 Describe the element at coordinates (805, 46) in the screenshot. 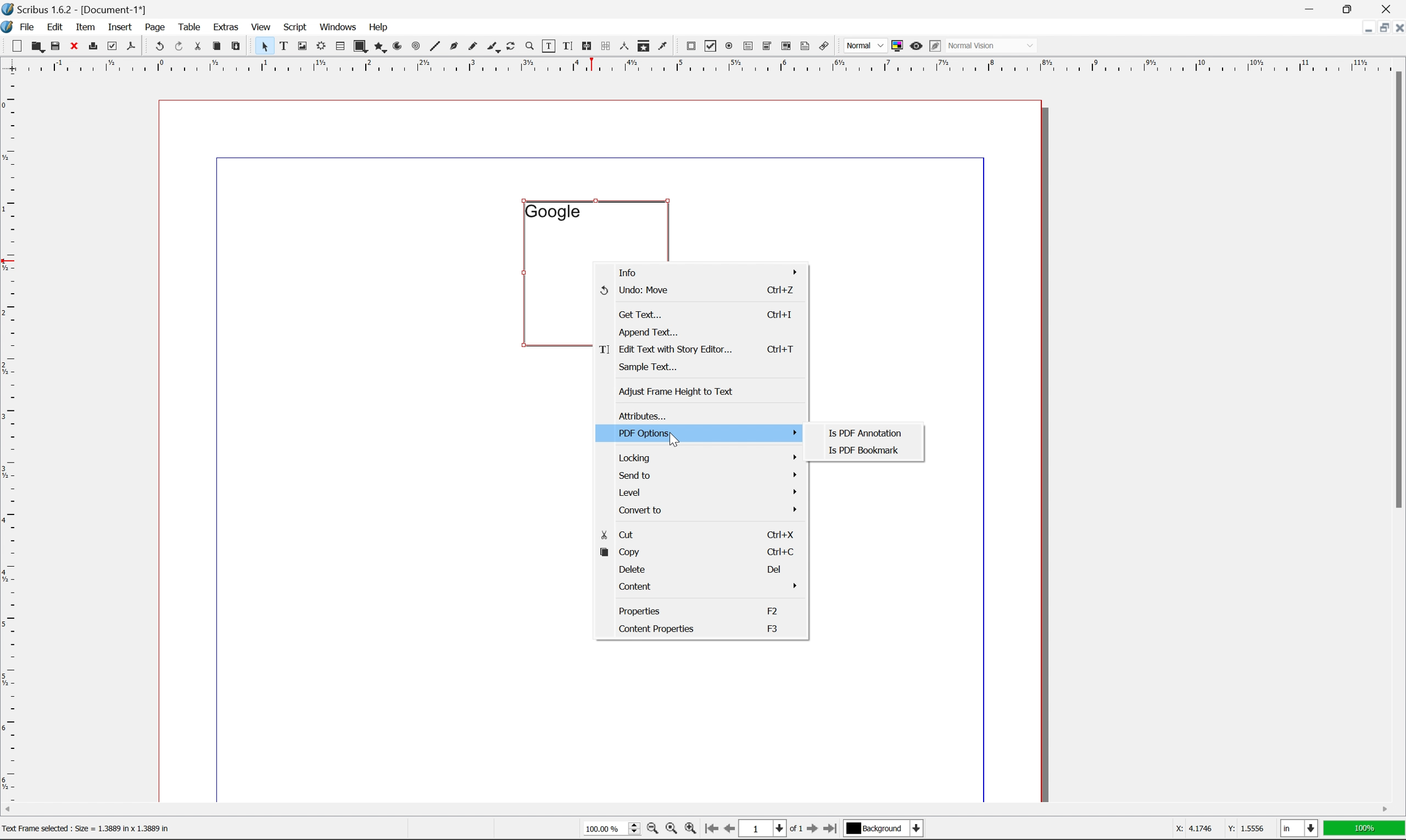

I see `text annotation` at that location.